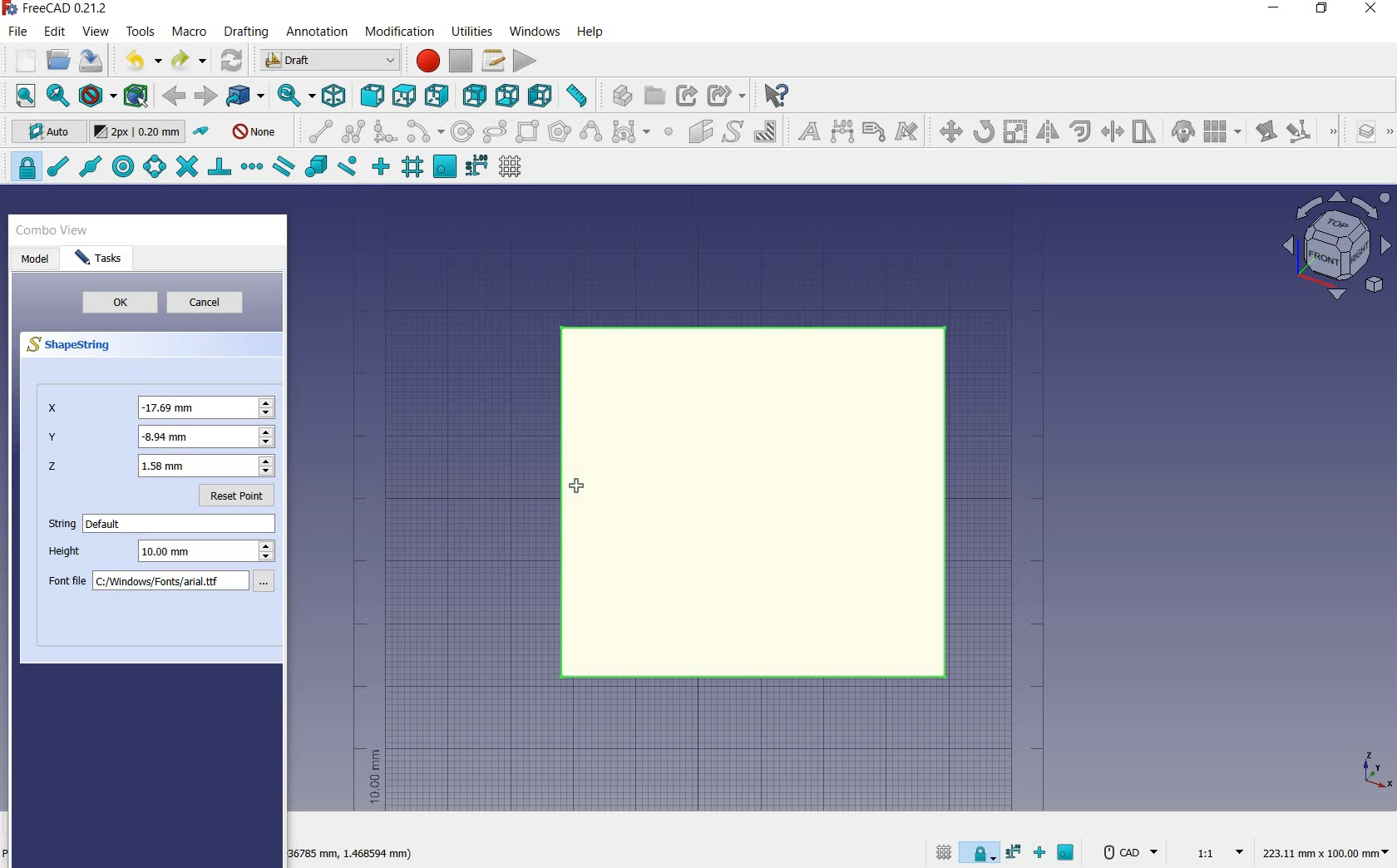 The image size is (1397, 868). What do you see at coordinates (700, 135) in the screenshot?
I see `facebinder` at bounding box center [700, 135].